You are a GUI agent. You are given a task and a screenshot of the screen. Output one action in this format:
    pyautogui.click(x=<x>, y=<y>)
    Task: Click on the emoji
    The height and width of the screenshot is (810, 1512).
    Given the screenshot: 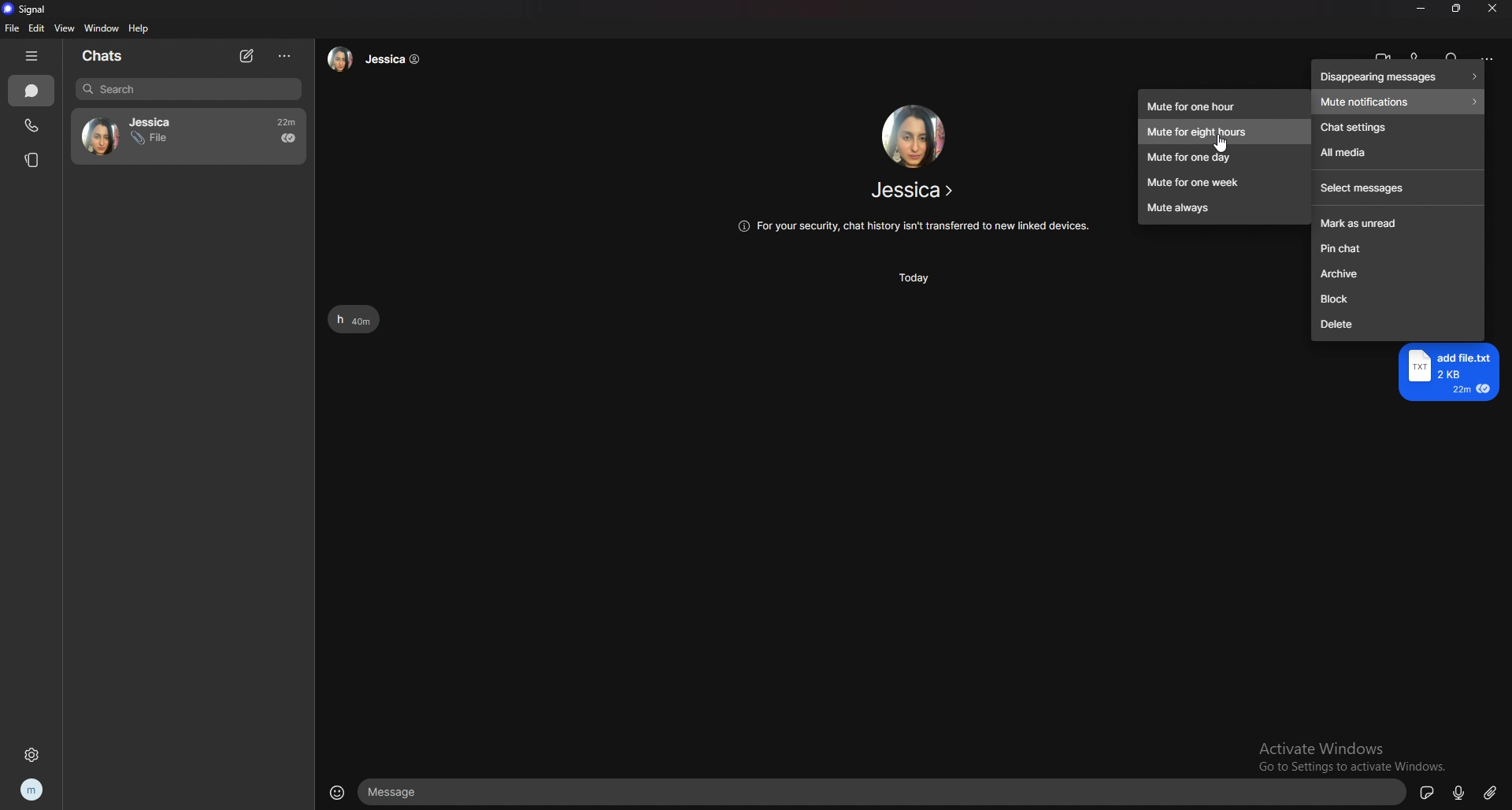 What is the action you would take?
    pyautogui.click(x=339, y=792)
    